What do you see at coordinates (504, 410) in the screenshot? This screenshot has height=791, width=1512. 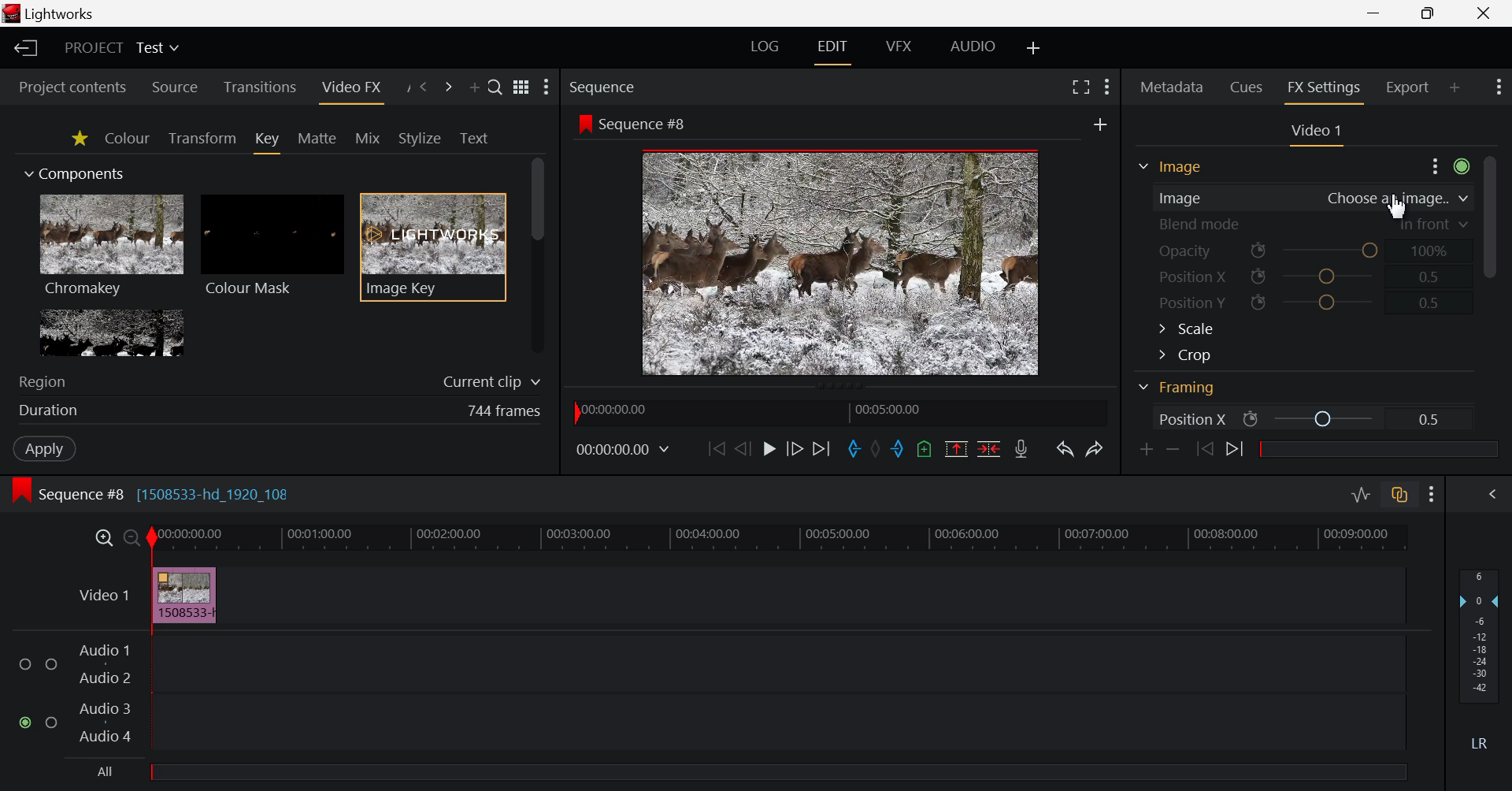 I see `744 frames` at bounding box center [504, 410].